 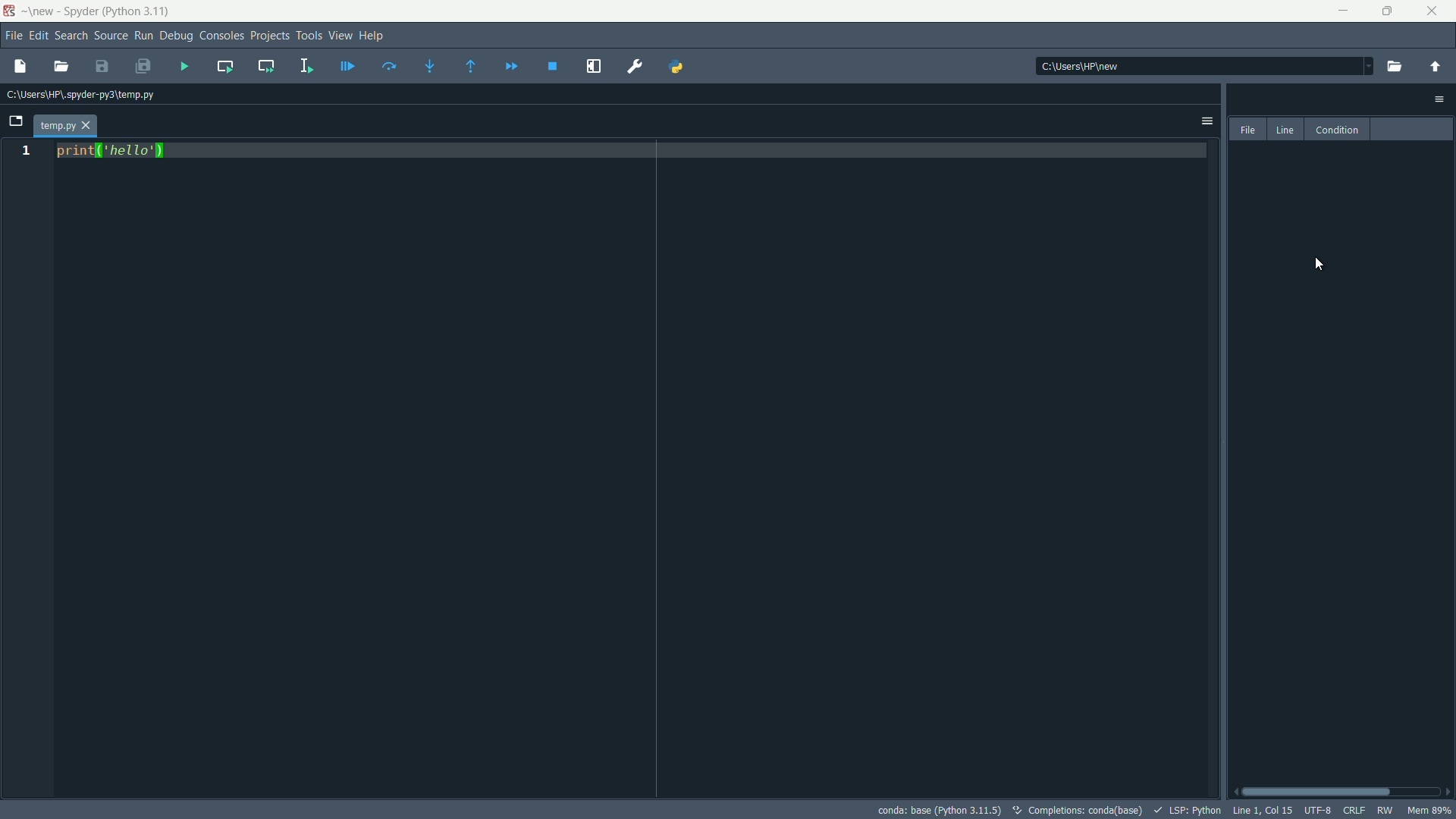 What do you see at coordinates (310, 36) in the screenshot?
I see `tools menu` at bounding box center [310, 36].